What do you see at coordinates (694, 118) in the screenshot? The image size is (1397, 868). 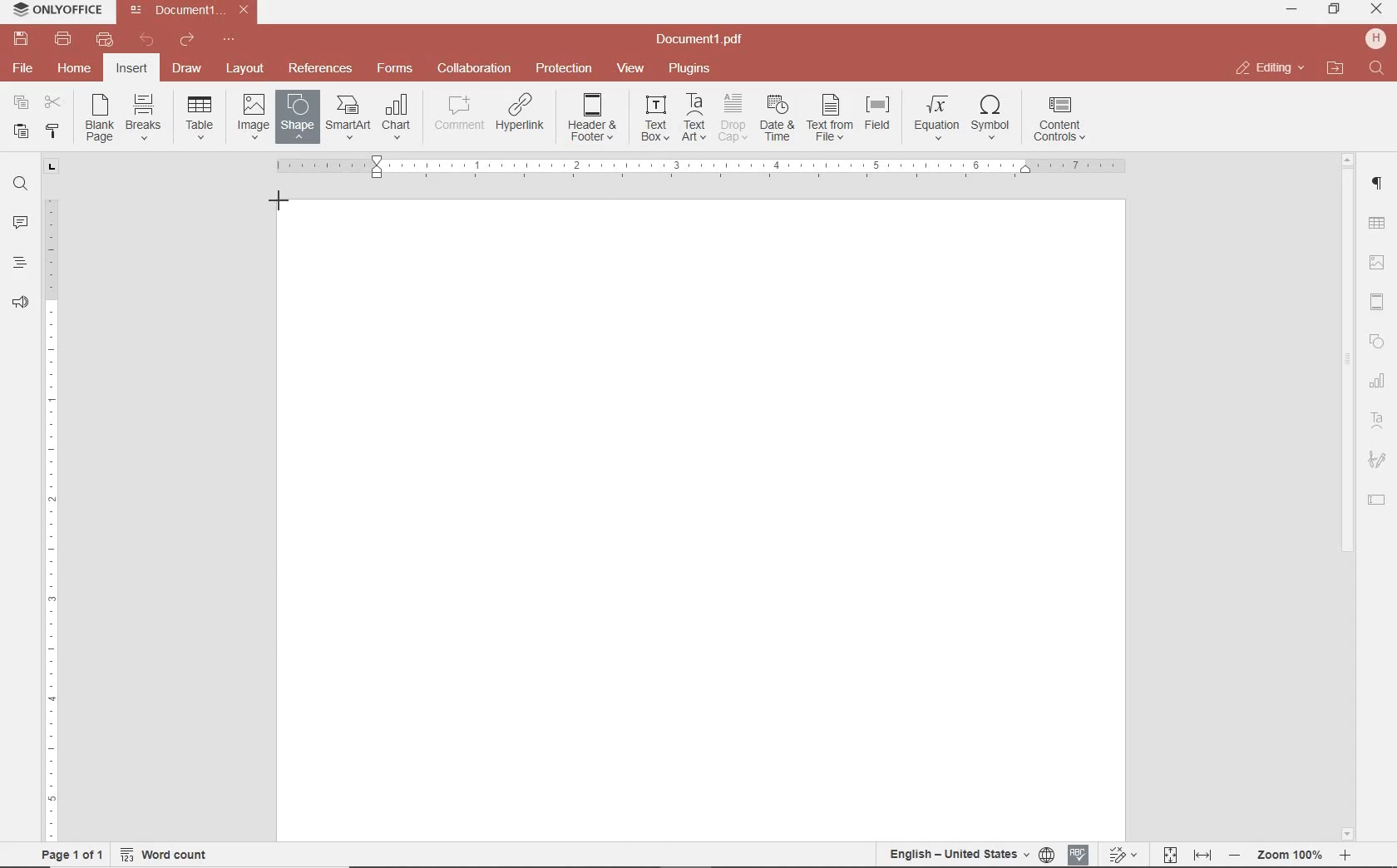 I see `INSERT TEXT ART` at bounding box center [694, 118].